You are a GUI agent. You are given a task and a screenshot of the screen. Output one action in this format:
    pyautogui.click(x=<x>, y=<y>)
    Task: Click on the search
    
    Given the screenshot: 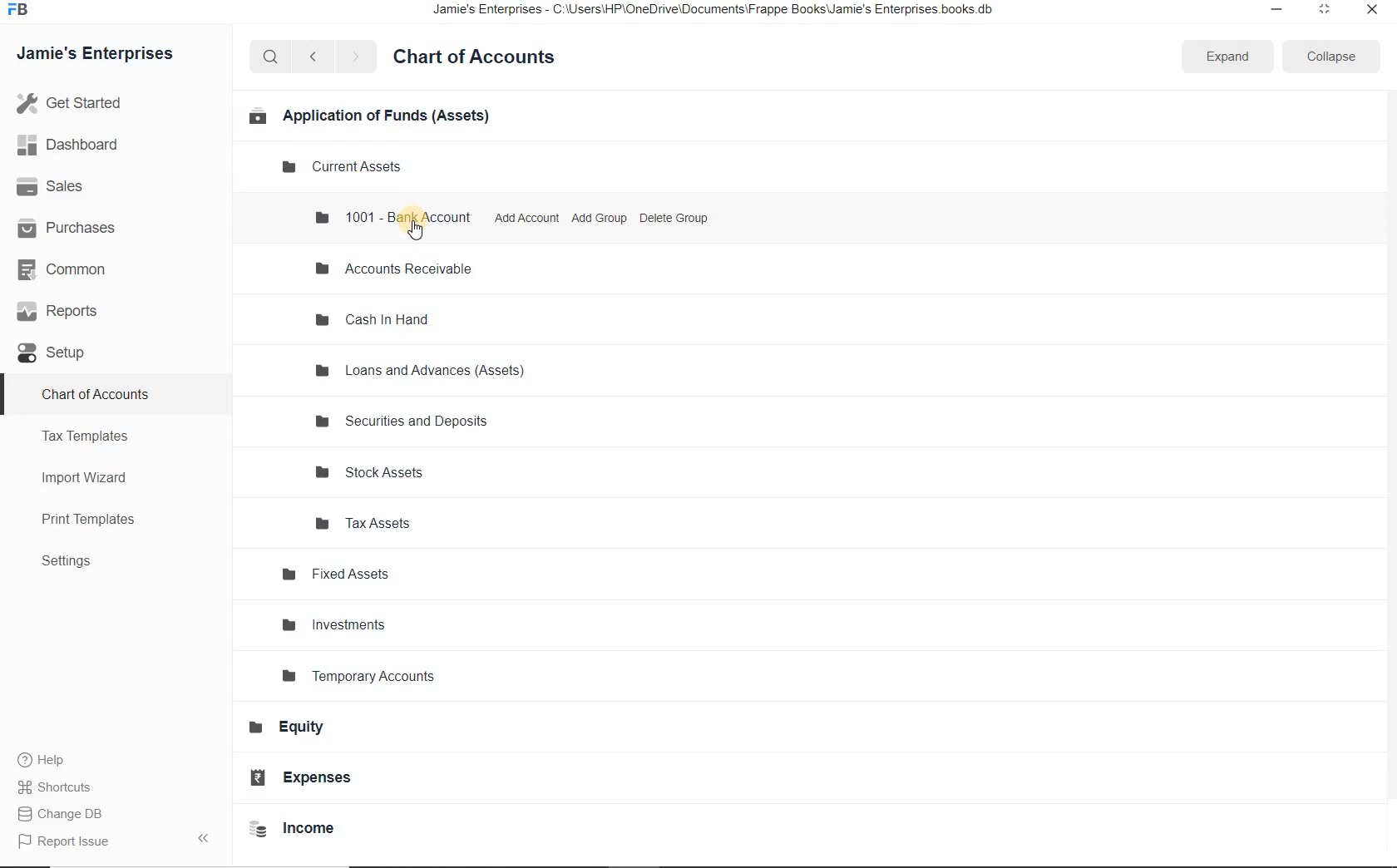 What is the action you would take?
    pyautogui.click(x=270, y=57)
    